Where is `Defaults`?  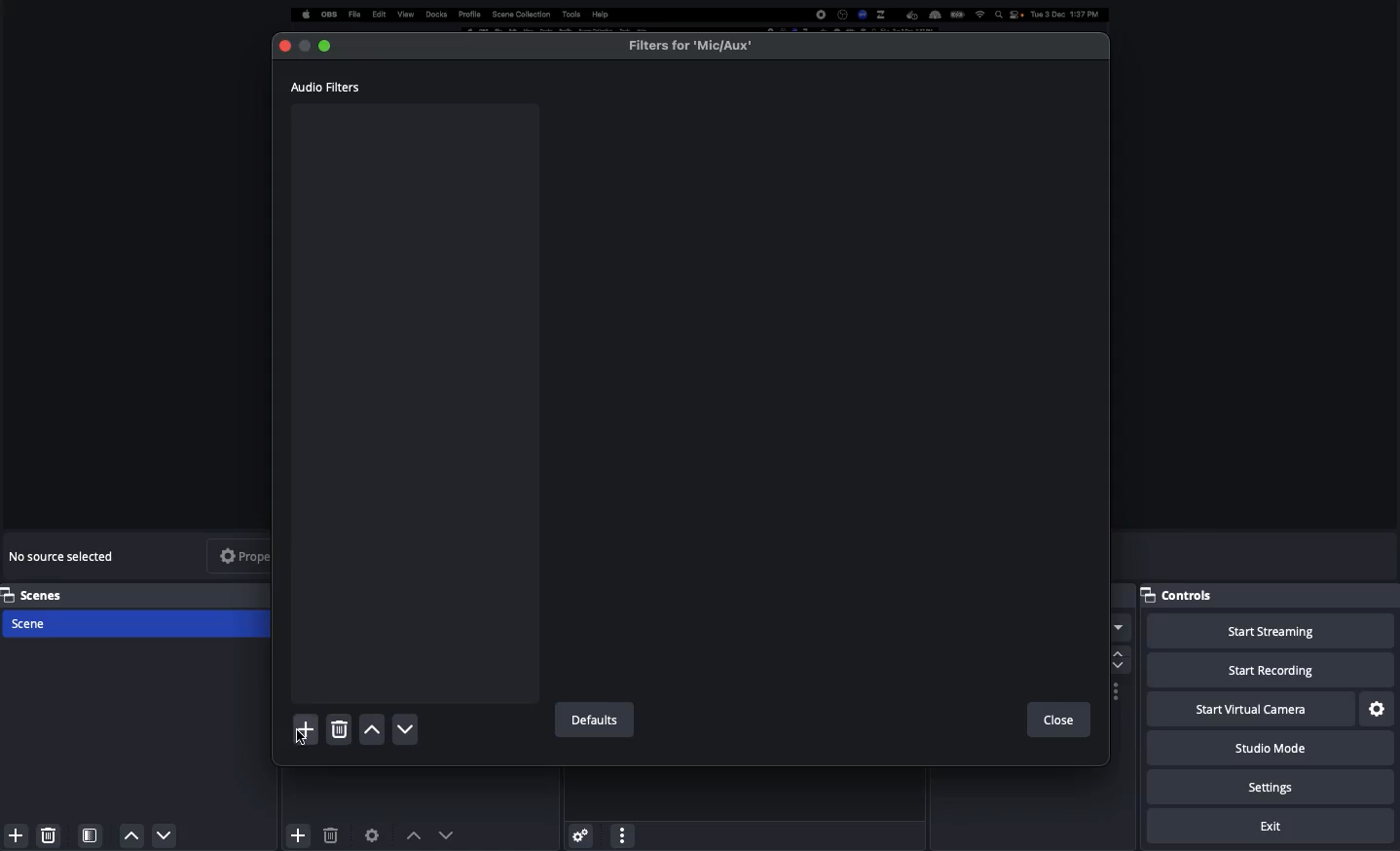 Defaults is located at coordinates (592, 721).